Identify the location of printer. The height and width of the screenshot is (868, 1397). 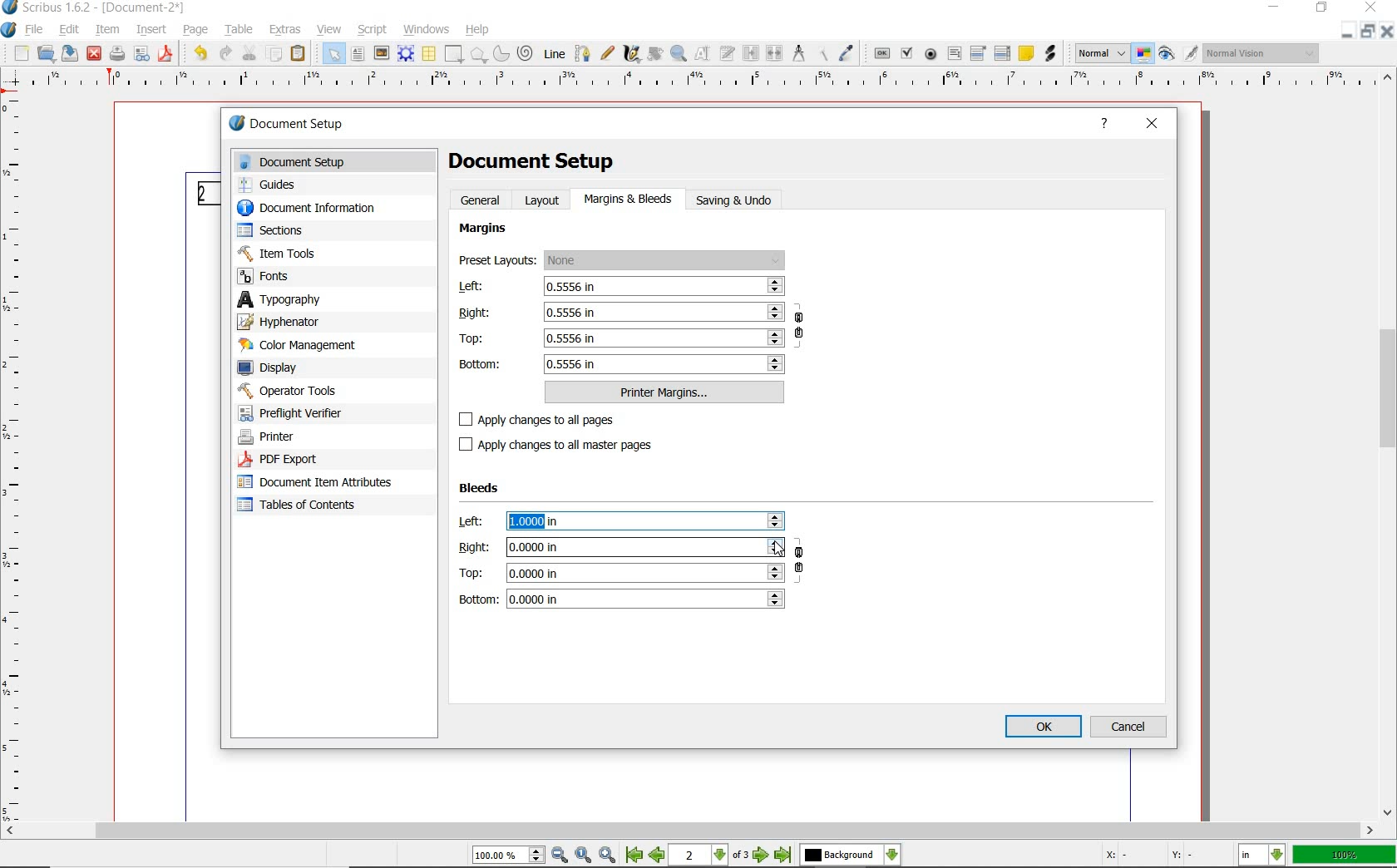
(269, 436).